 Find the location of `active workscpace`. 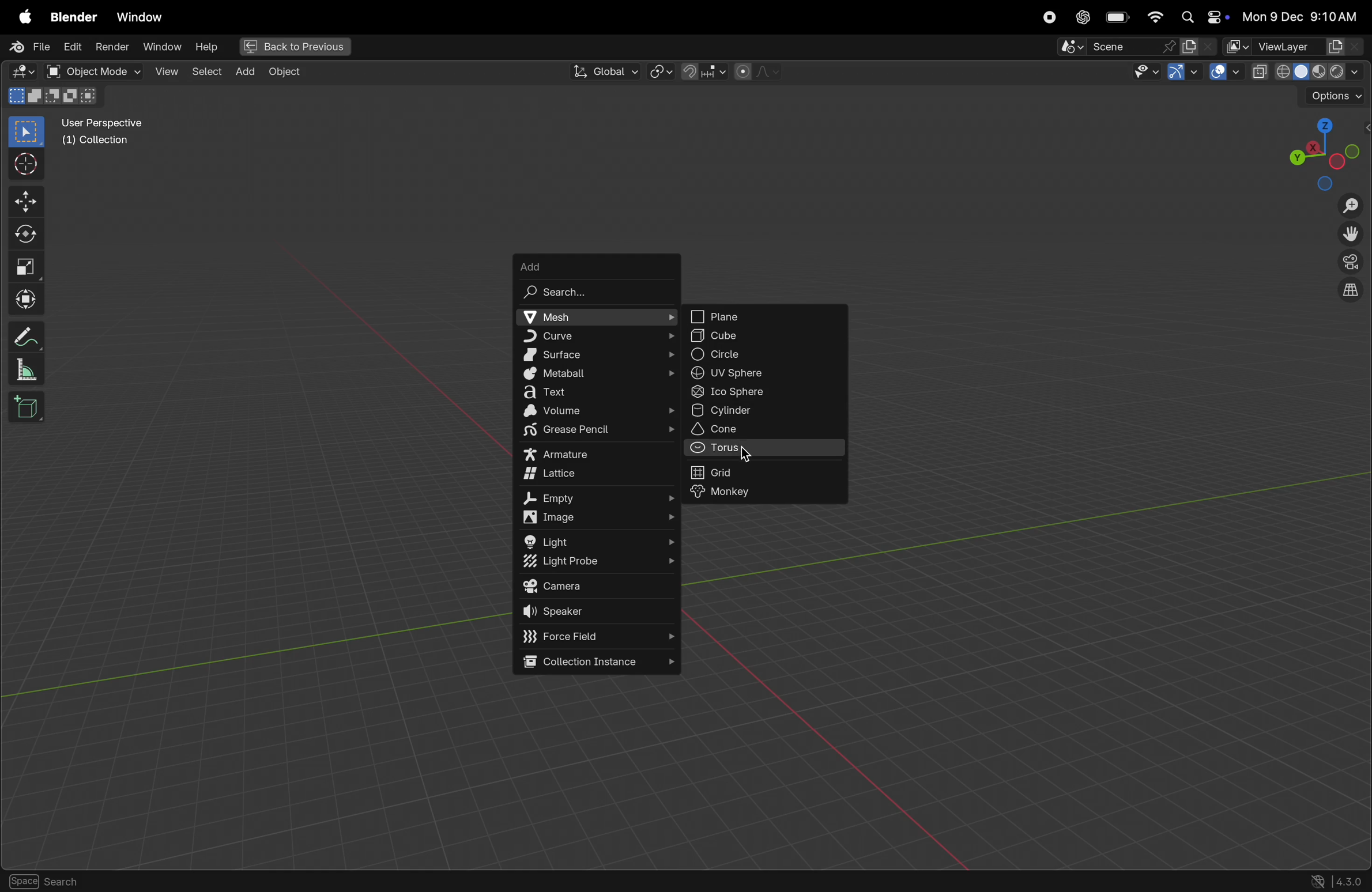

active workscpace is located at coordinates (1238, 46).